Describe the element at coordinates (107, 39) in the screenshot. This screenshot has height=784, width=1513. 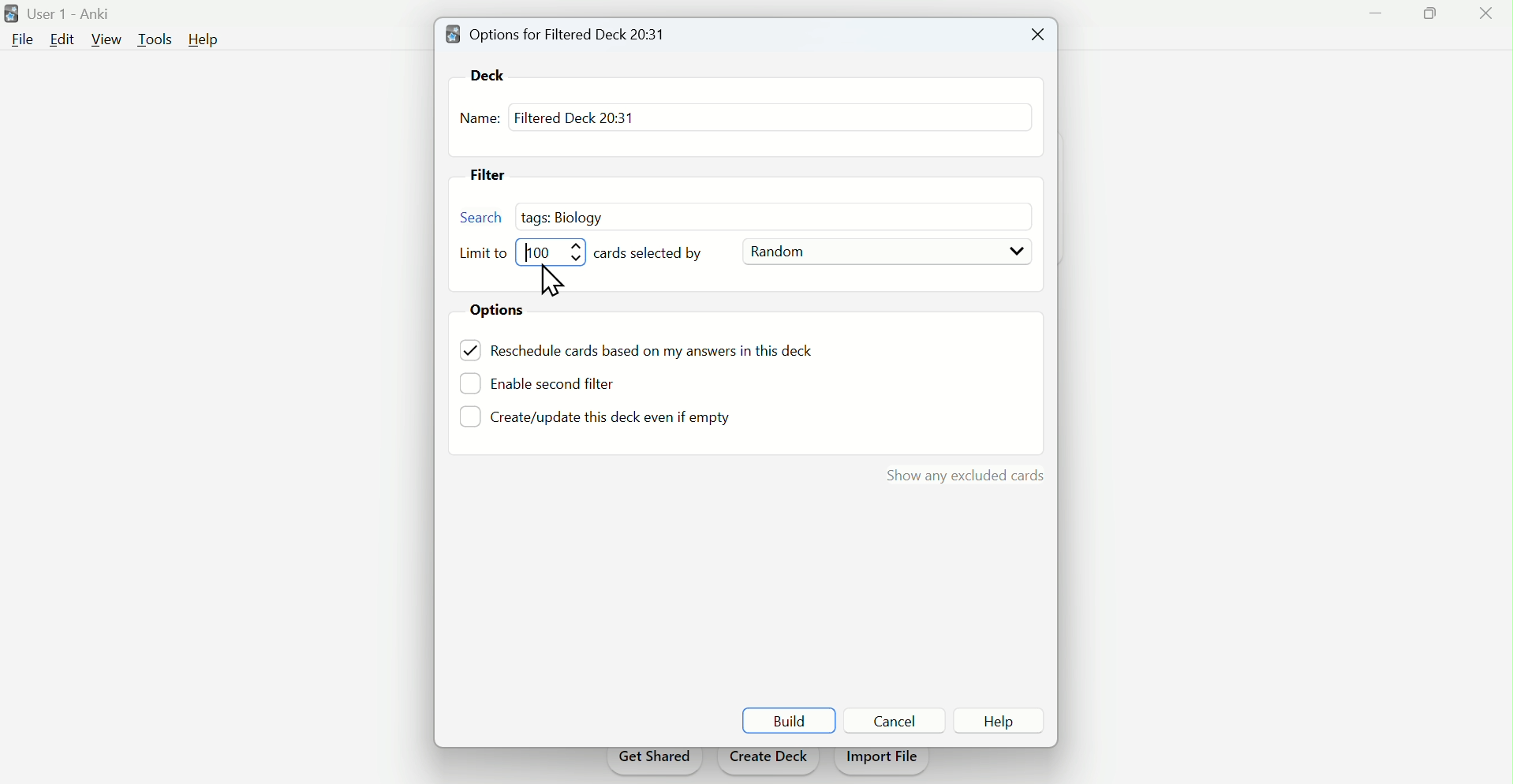
I see `View` at that location.